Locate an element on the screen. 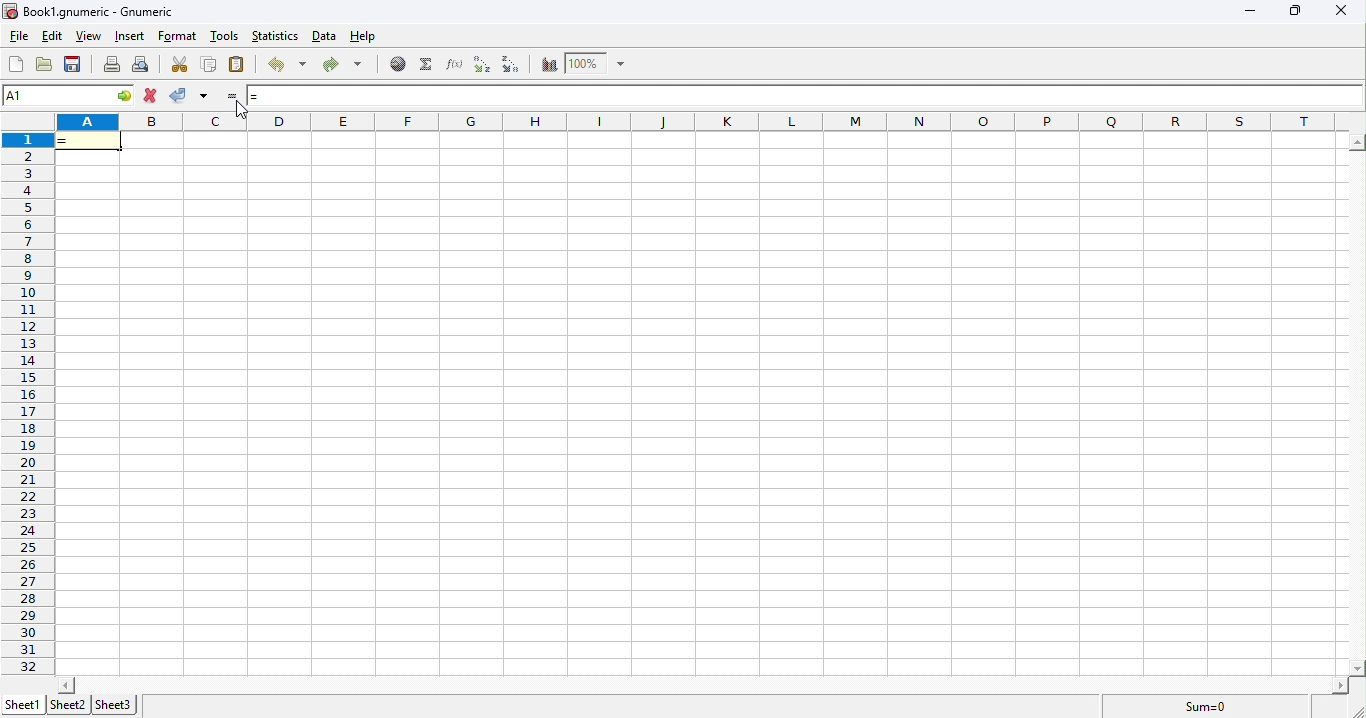  select function is located at coordinates (429, 65).